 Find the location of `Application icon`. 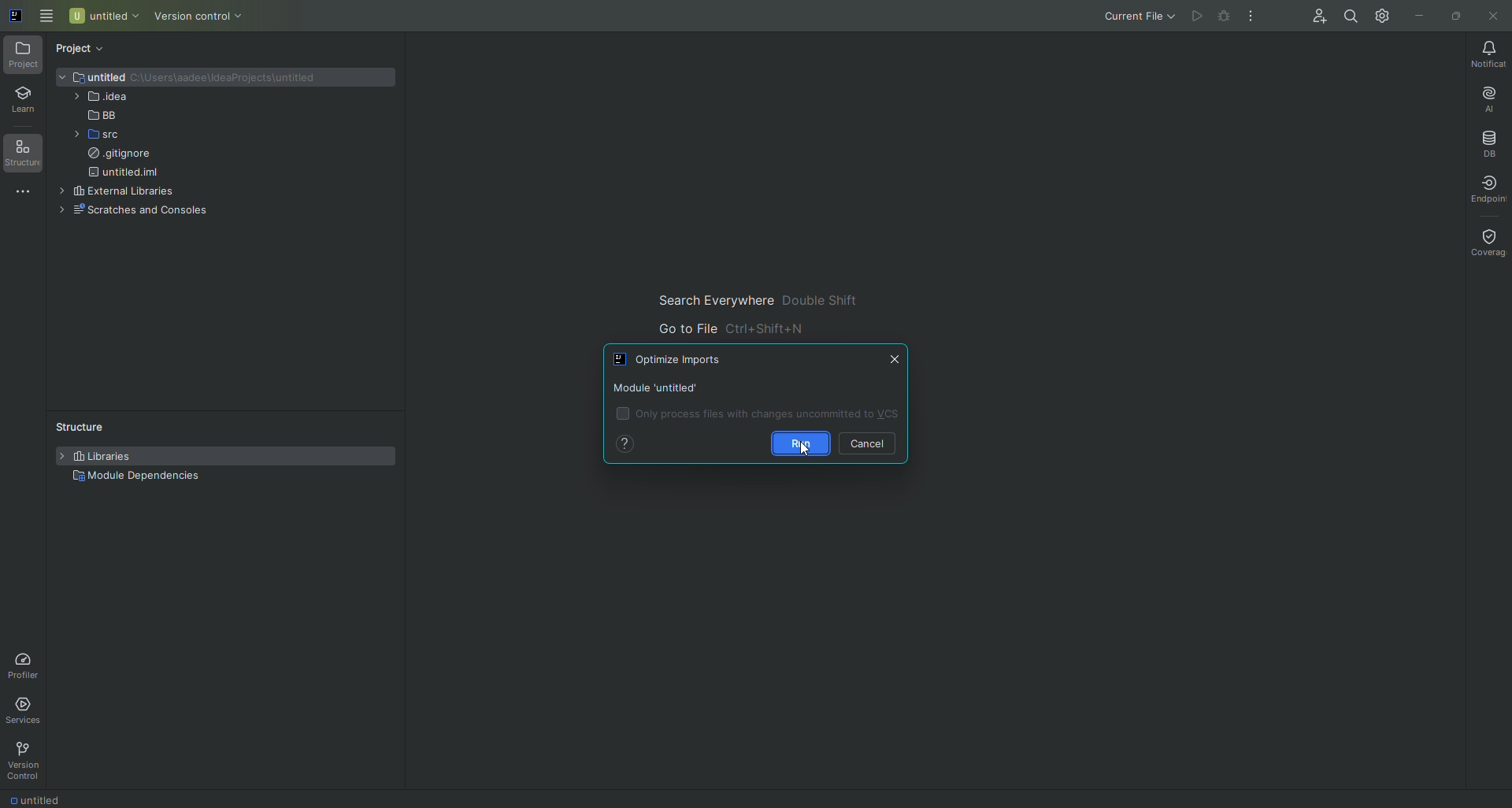

Application icon is located at coordinates (13, 22).